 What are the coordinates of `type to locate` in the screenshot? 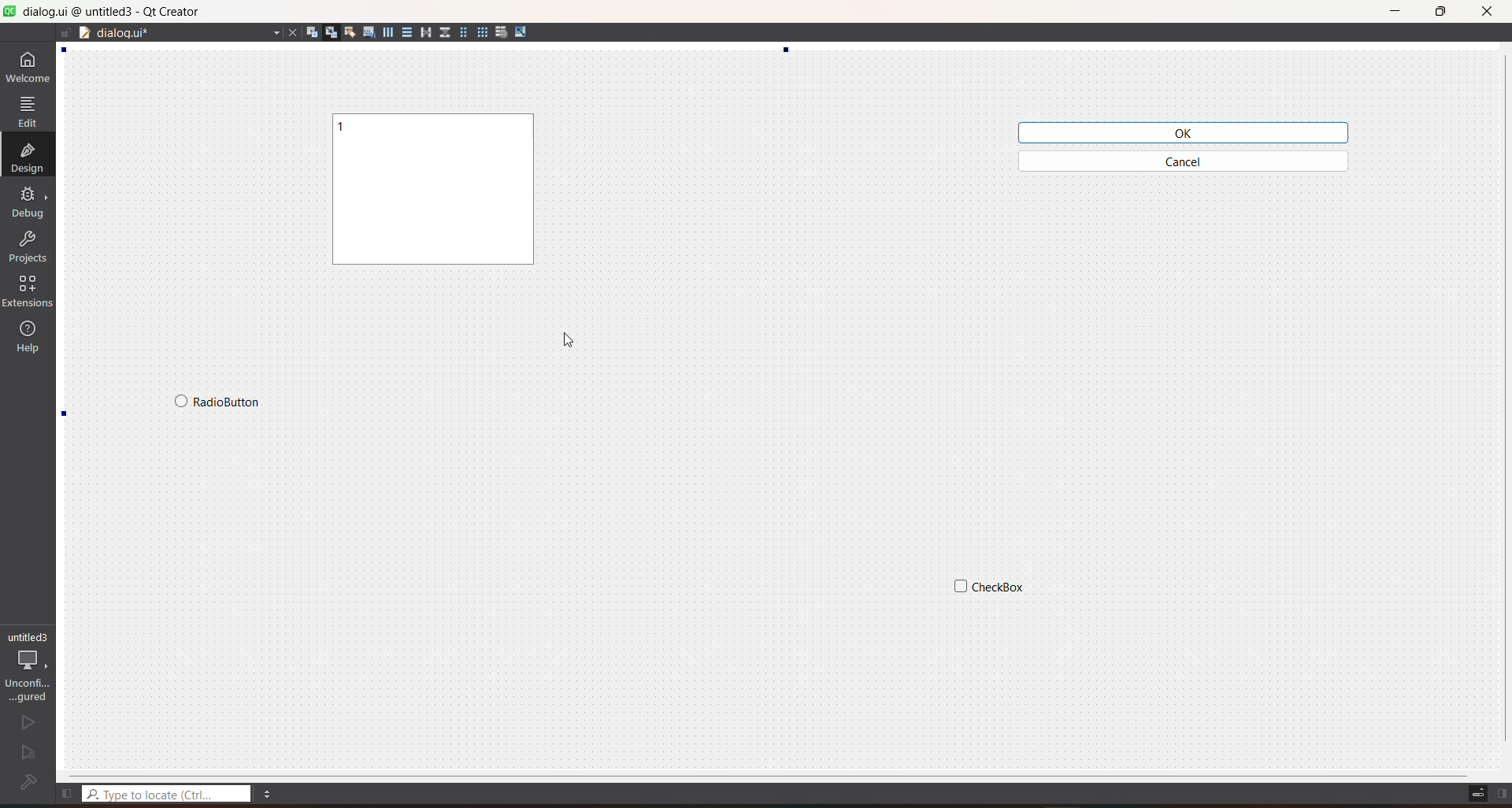 It's located at (169, 793).